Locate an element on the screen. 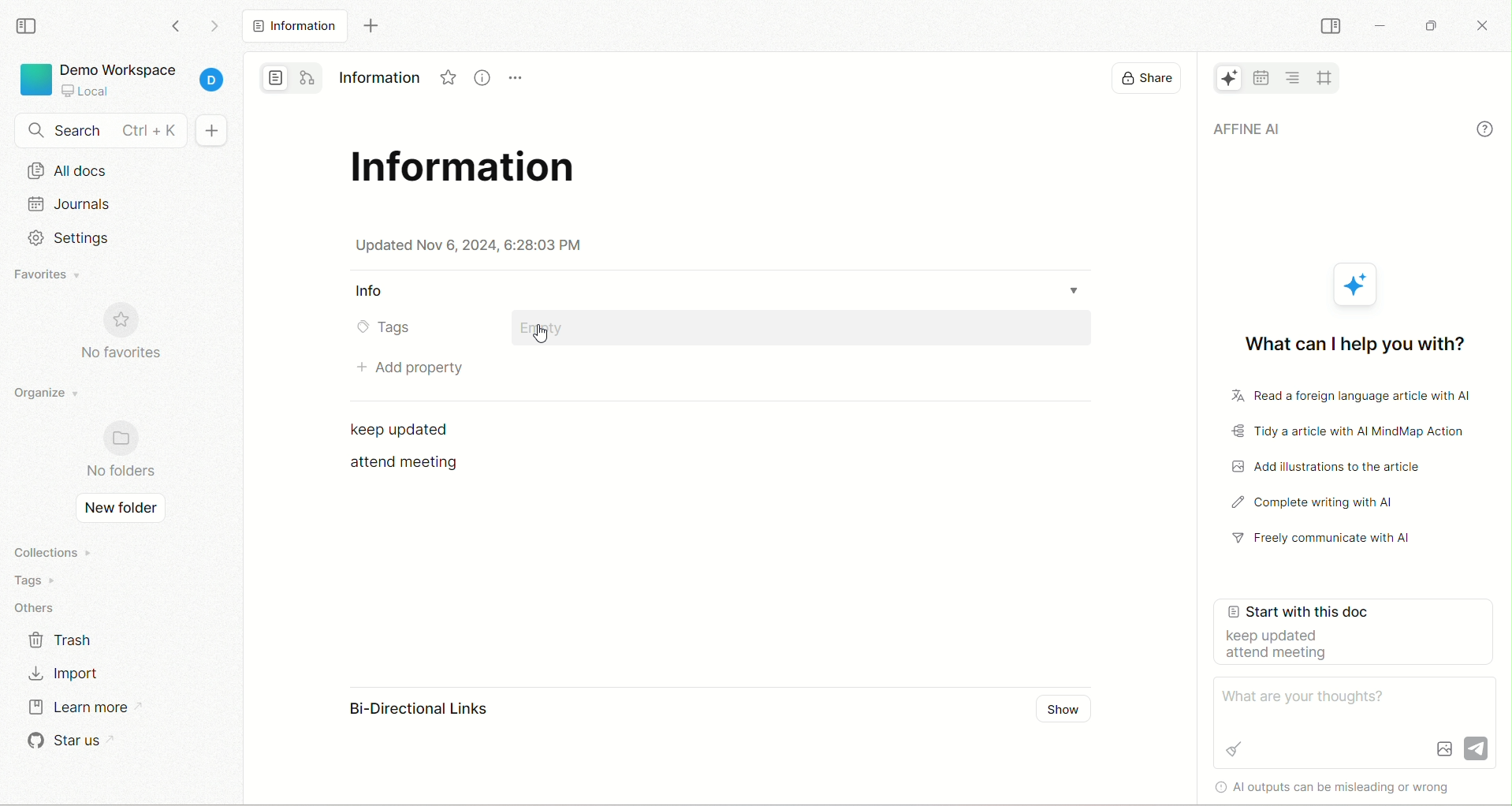  AFFiNE AI is located at coordinates (1220, 79).